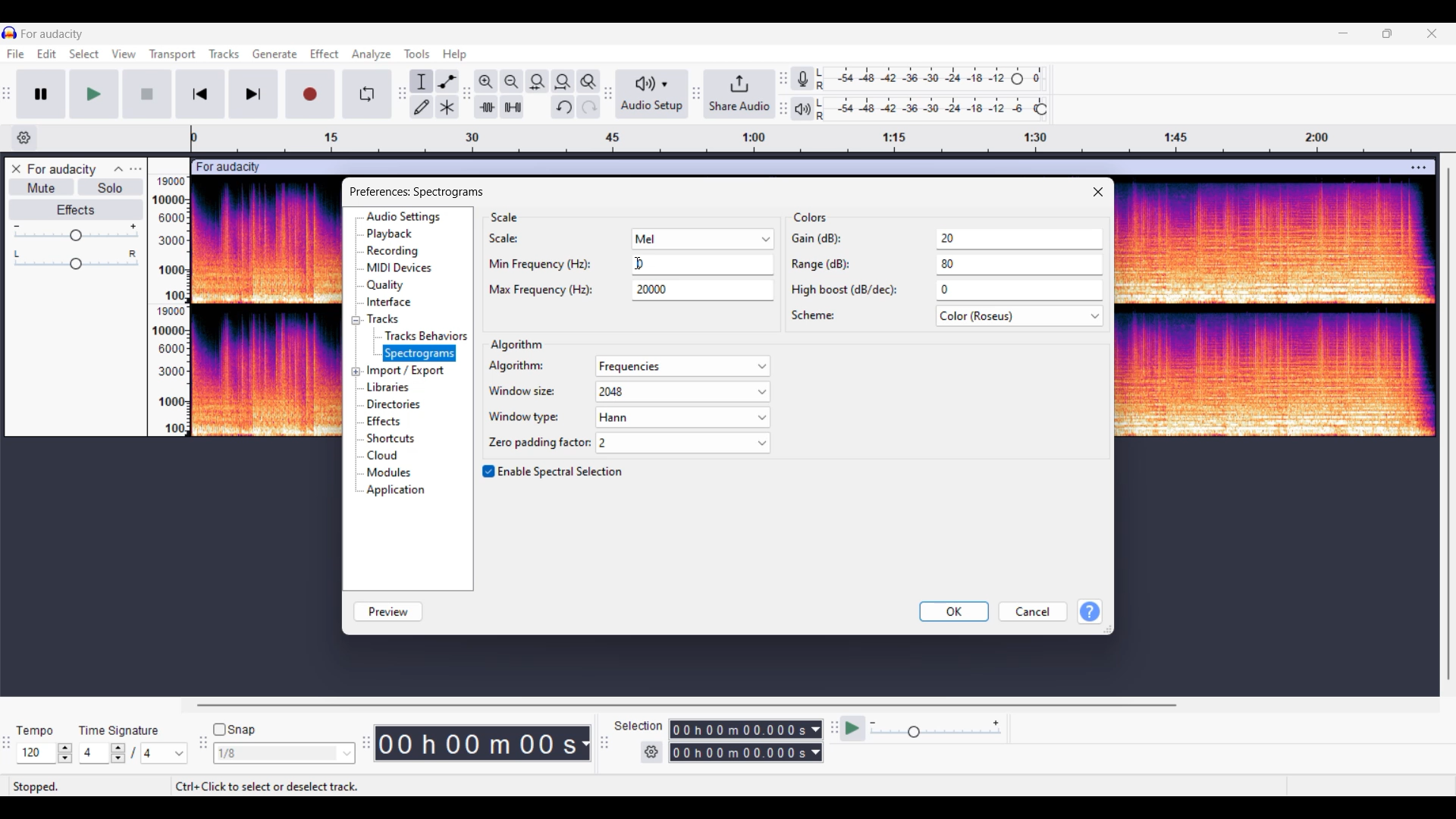  I want to click on Toggle for Spectral selection, so click(554, 472).